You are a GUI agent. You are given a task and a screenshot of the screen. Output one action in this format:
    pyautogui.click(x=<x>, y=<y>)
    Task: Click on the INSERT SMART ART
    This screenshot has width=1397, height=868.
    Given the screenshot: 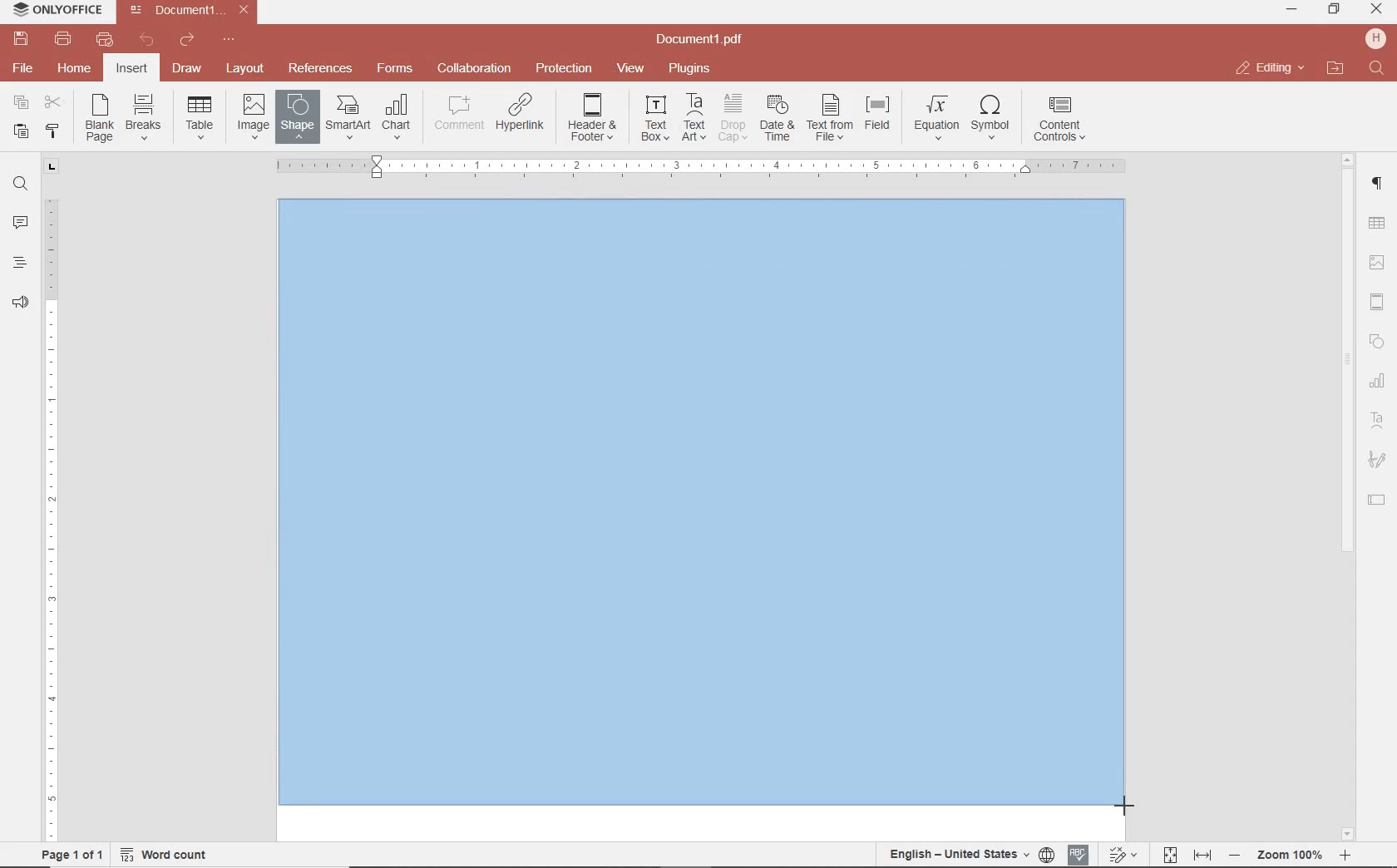 What is the action you would take?
    pyautogui.click(x=348, y=116)
    